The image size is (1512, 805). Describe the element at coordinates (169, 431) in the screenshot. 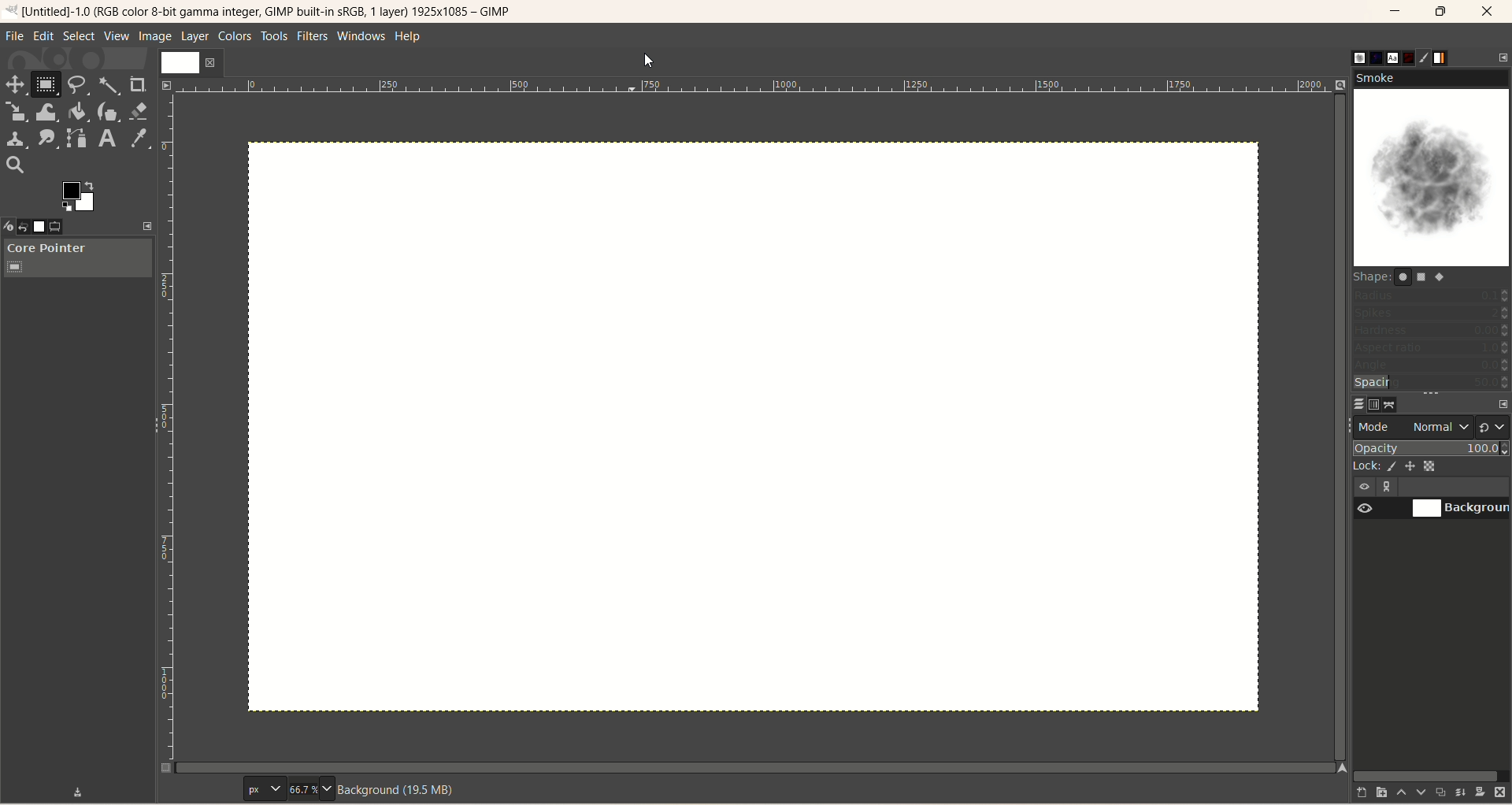

I see `ruler` at that location.